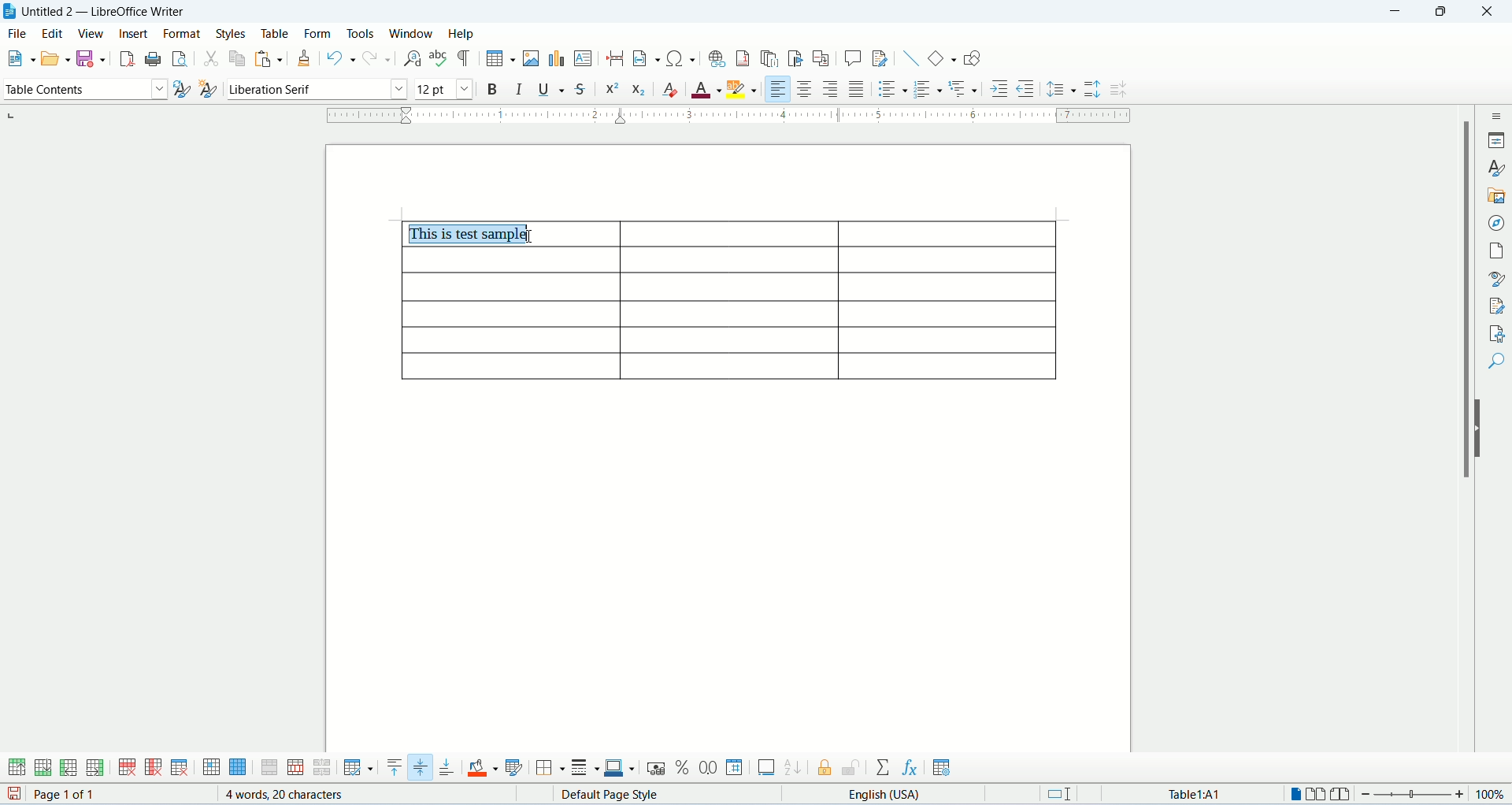  Describe the element at coordinates (1000, 88) in the screenshot. I see `increase indent` at that location.